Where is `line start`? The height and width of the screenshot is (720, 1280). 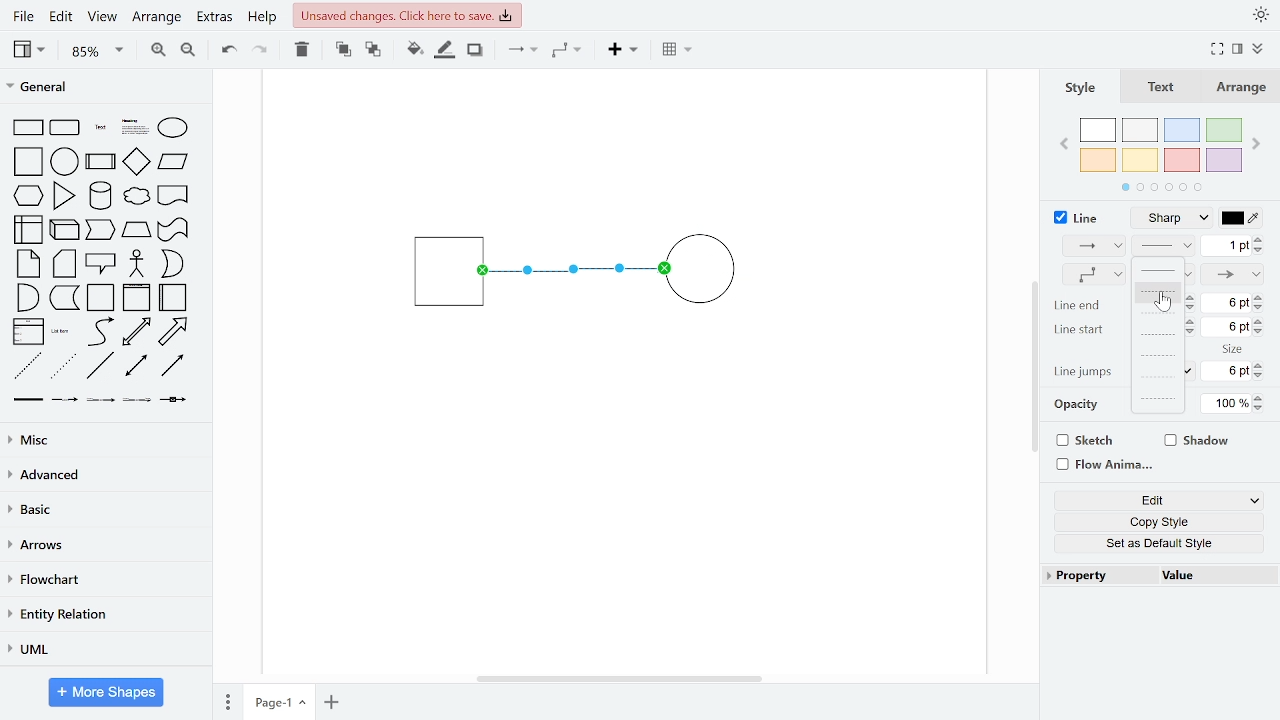 line start is located at coordinates (1081, 331).